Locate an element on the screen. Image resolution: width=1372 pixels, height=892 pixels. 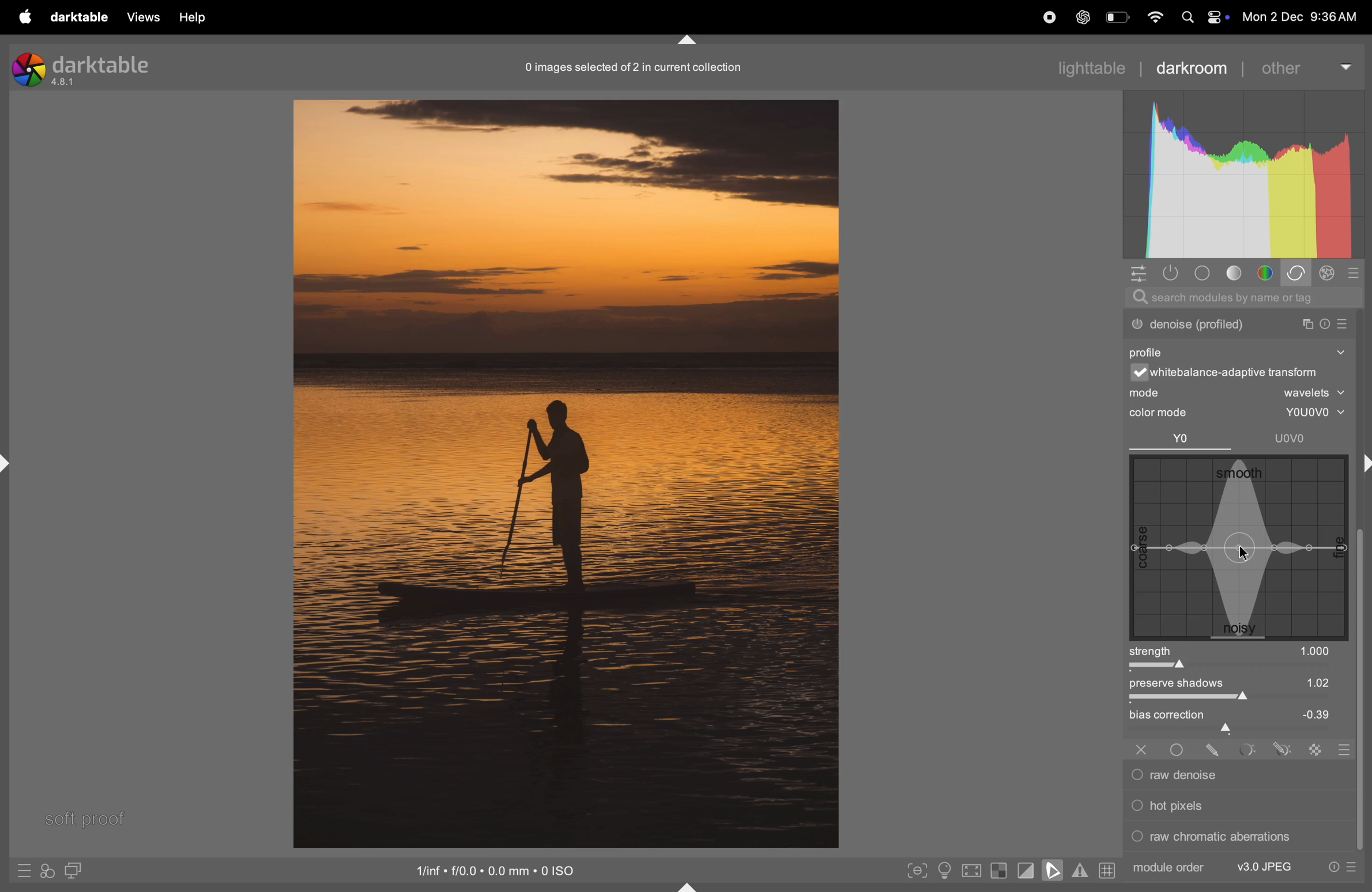
youovo is located at coordinates (1307, 413).